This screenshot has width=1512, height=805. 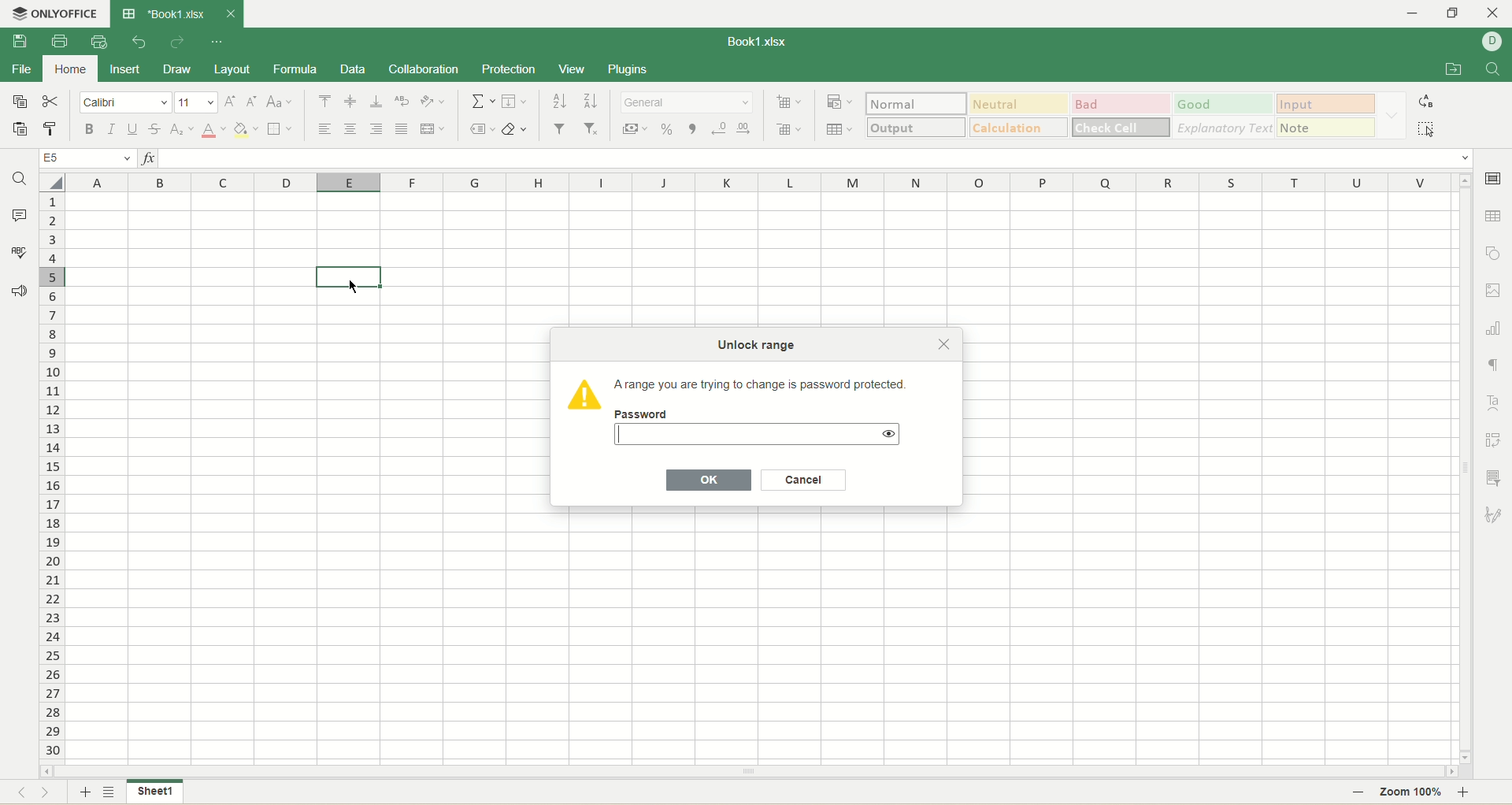 I want to click on pivot settings, so click(x=1495, y=440).